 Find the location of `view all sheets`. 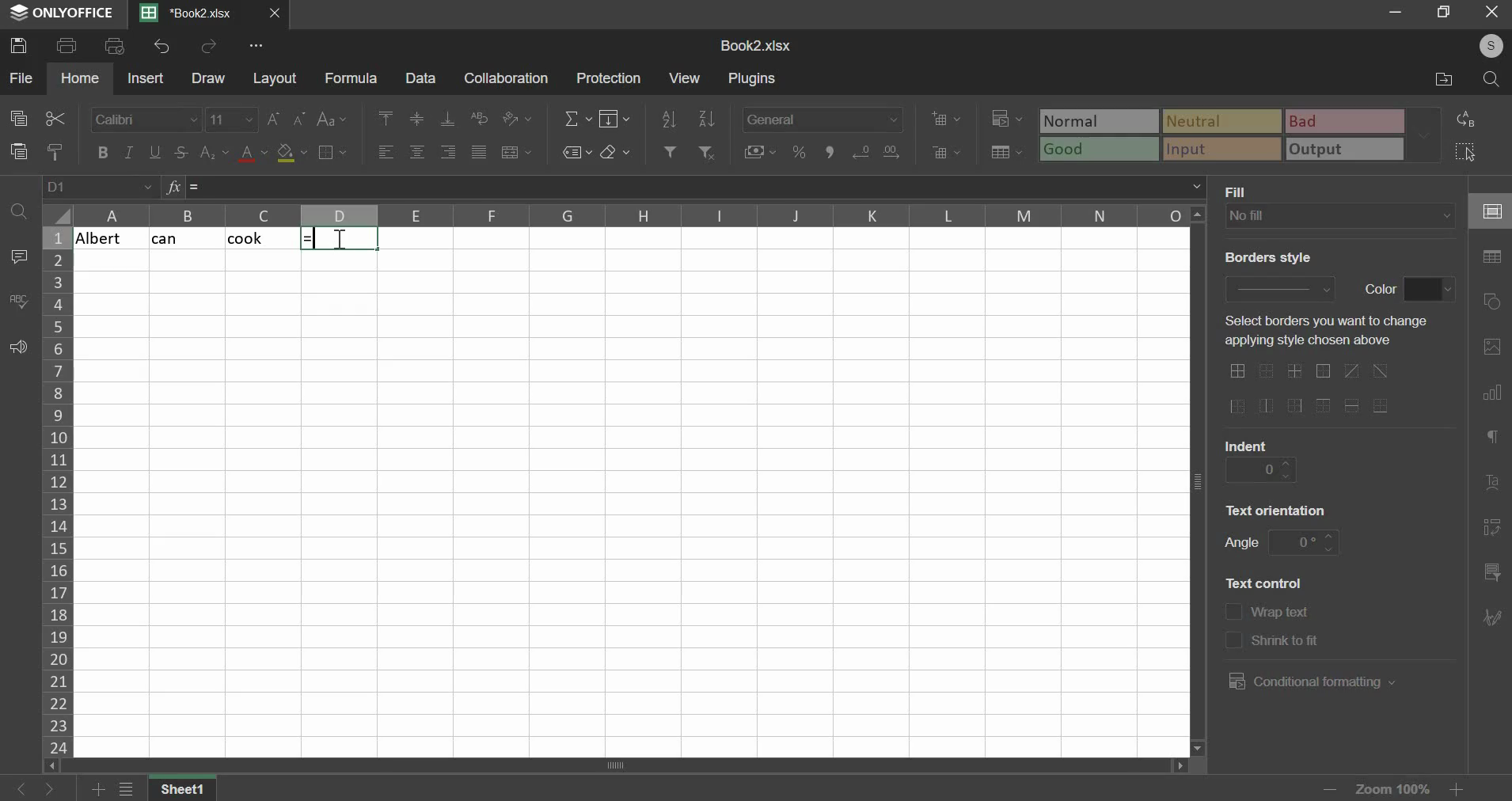

view all sheets is located at coordinates (135, 790).